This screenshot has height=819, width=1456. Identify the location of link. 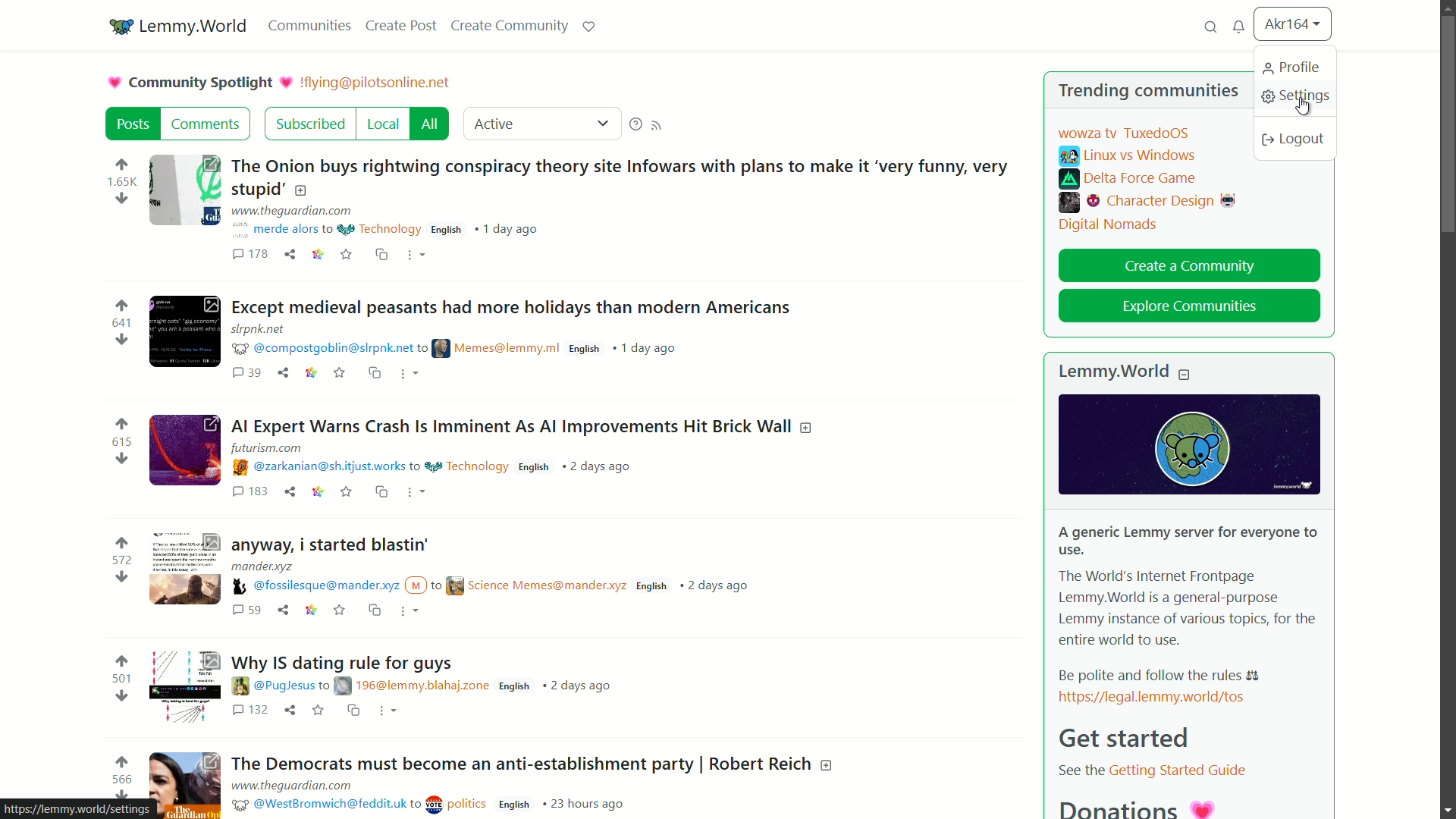
(309, 371).